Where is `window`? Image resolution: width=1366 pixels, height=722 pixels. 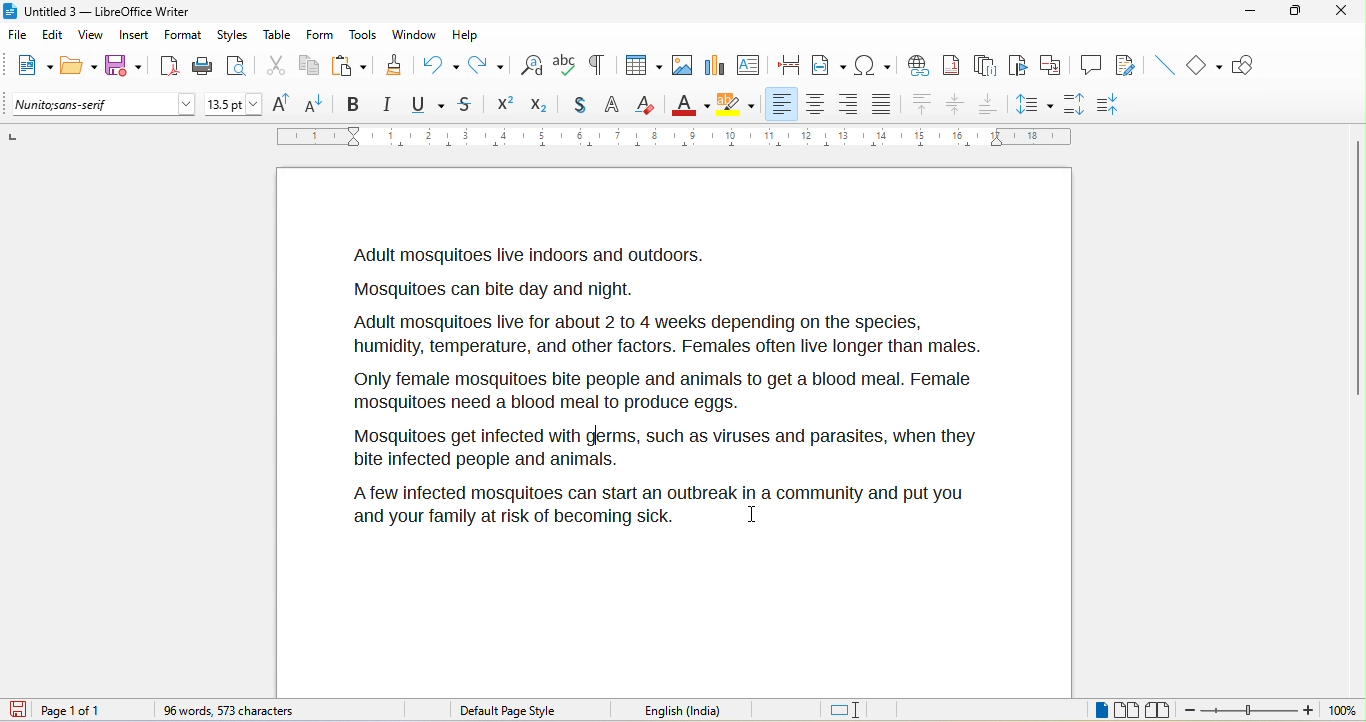 window is located at coordinates (413, 37).